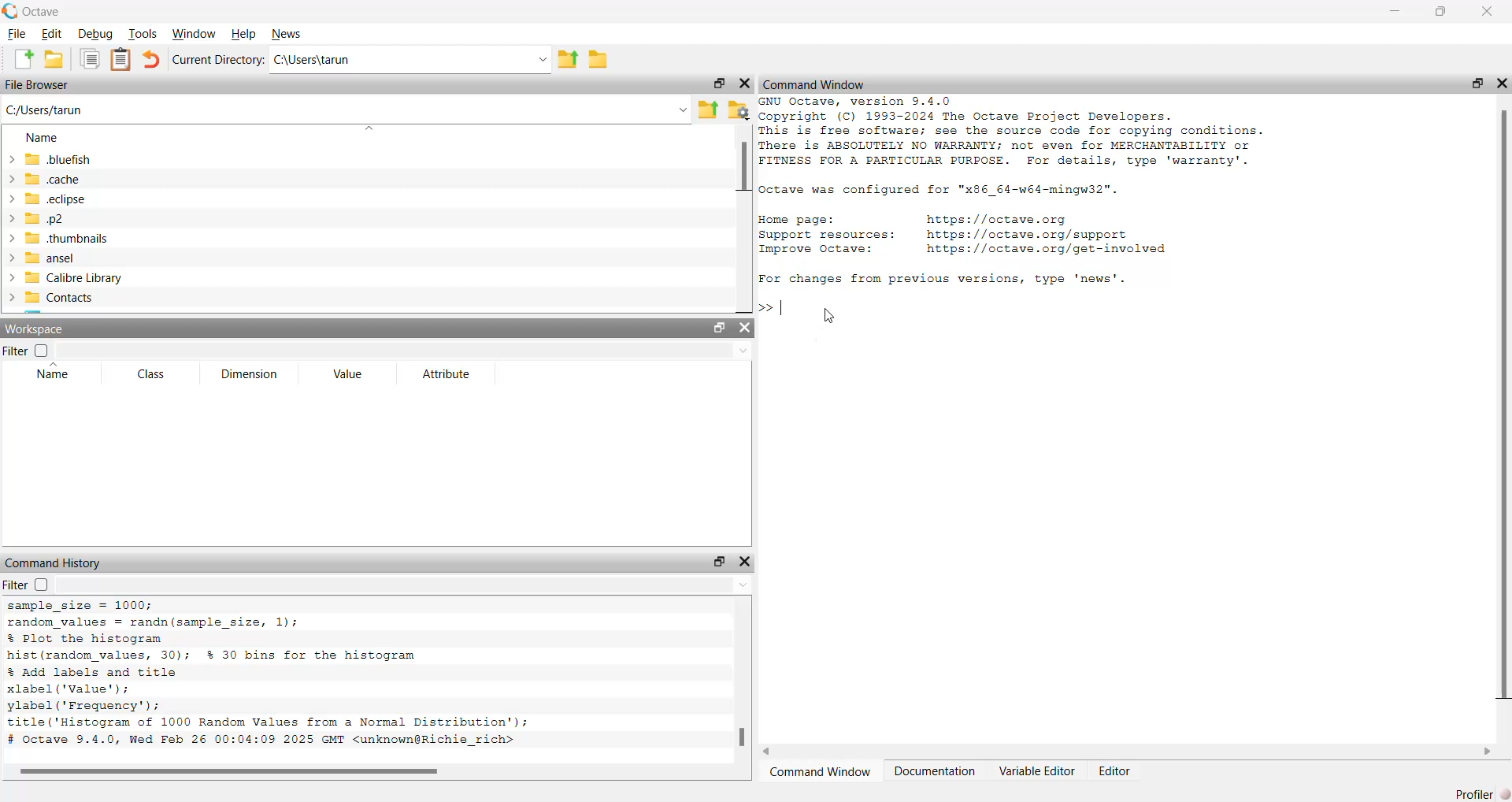  What do you see at coordinates (370, 128) in the screenshot?
I see `dropdown` at bounding box center [370, 128].